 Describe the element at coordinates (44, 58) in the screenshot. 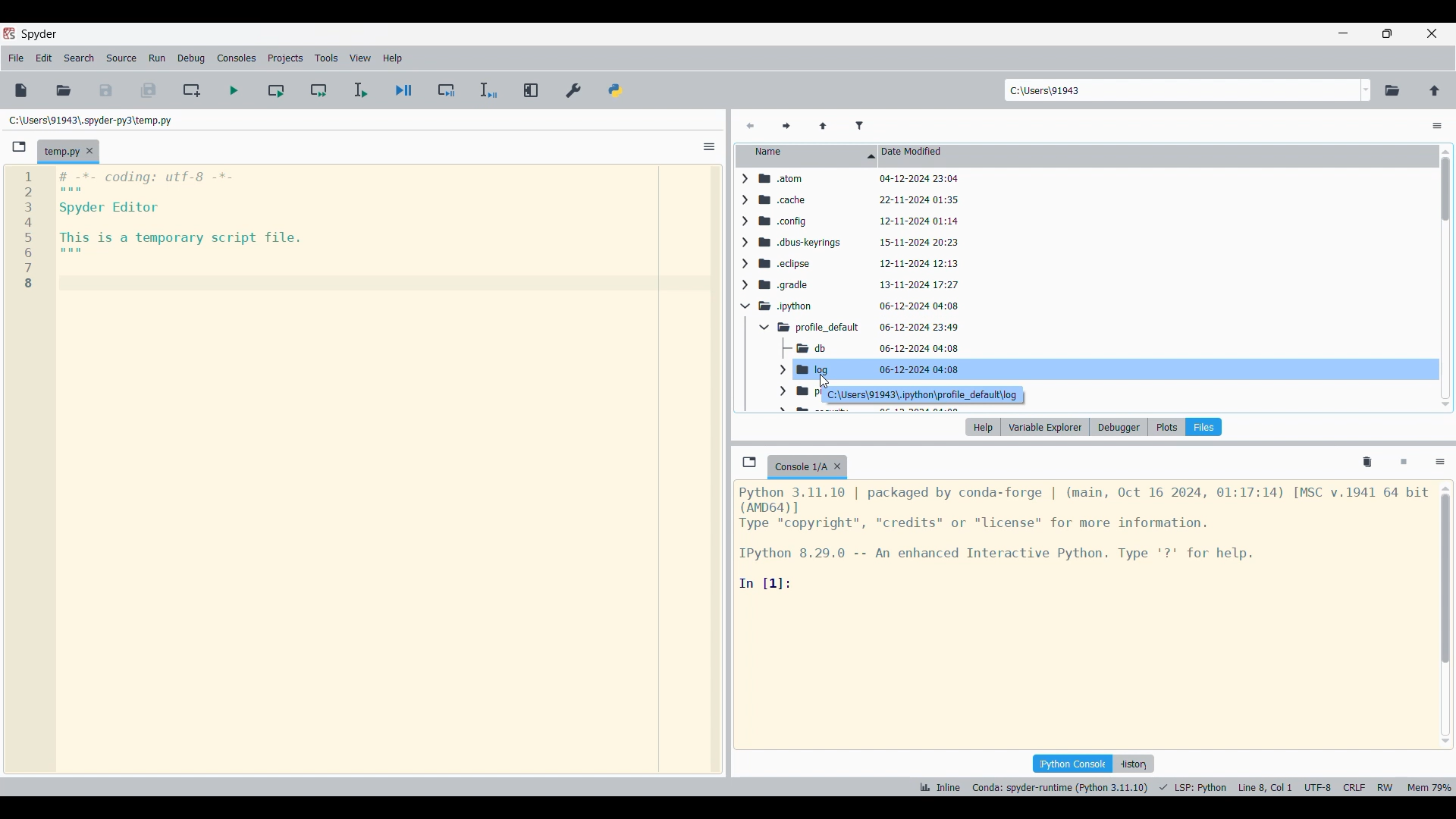

I see `Edit menu` at that location.